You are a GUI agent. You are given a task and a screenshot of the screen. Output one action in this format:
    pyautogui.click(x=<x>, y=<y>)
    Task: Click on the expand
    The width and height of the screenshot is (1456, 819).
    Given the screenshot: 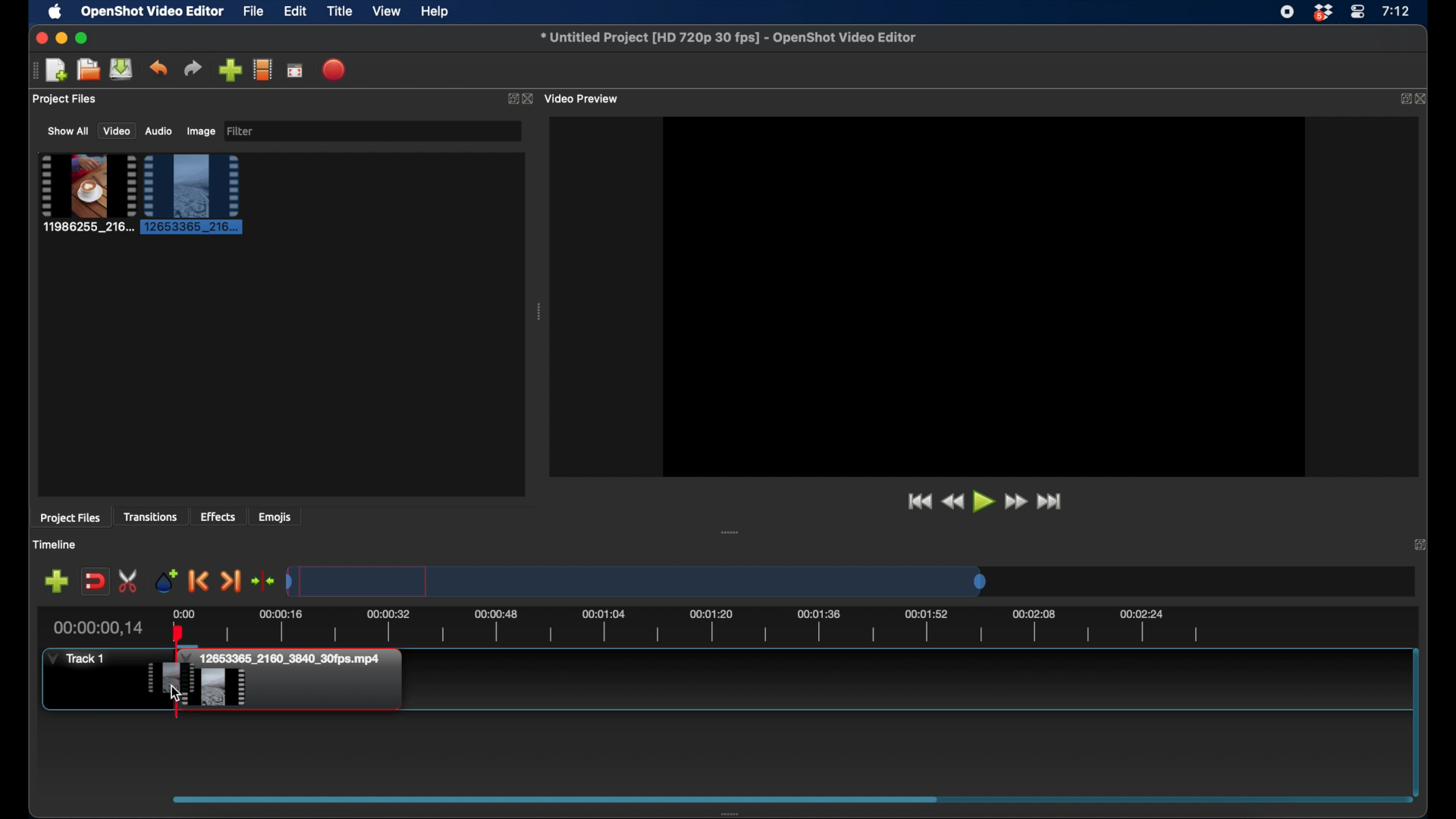 What is the action you would take?
    pyautogui.click(x=1404, y=99)
    